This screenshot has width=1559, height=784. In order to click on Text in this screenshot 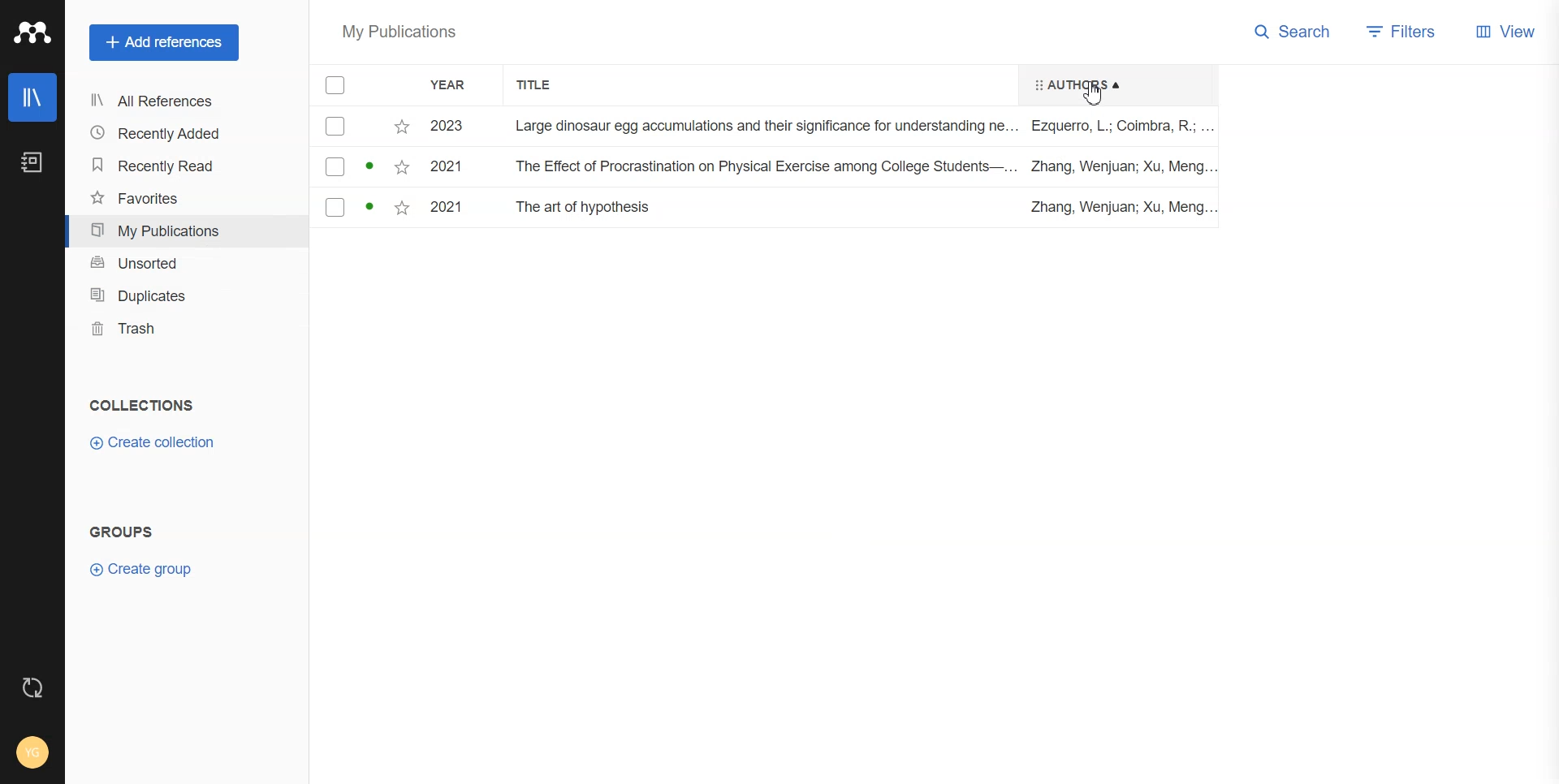, I will do `click(123, 532)`.